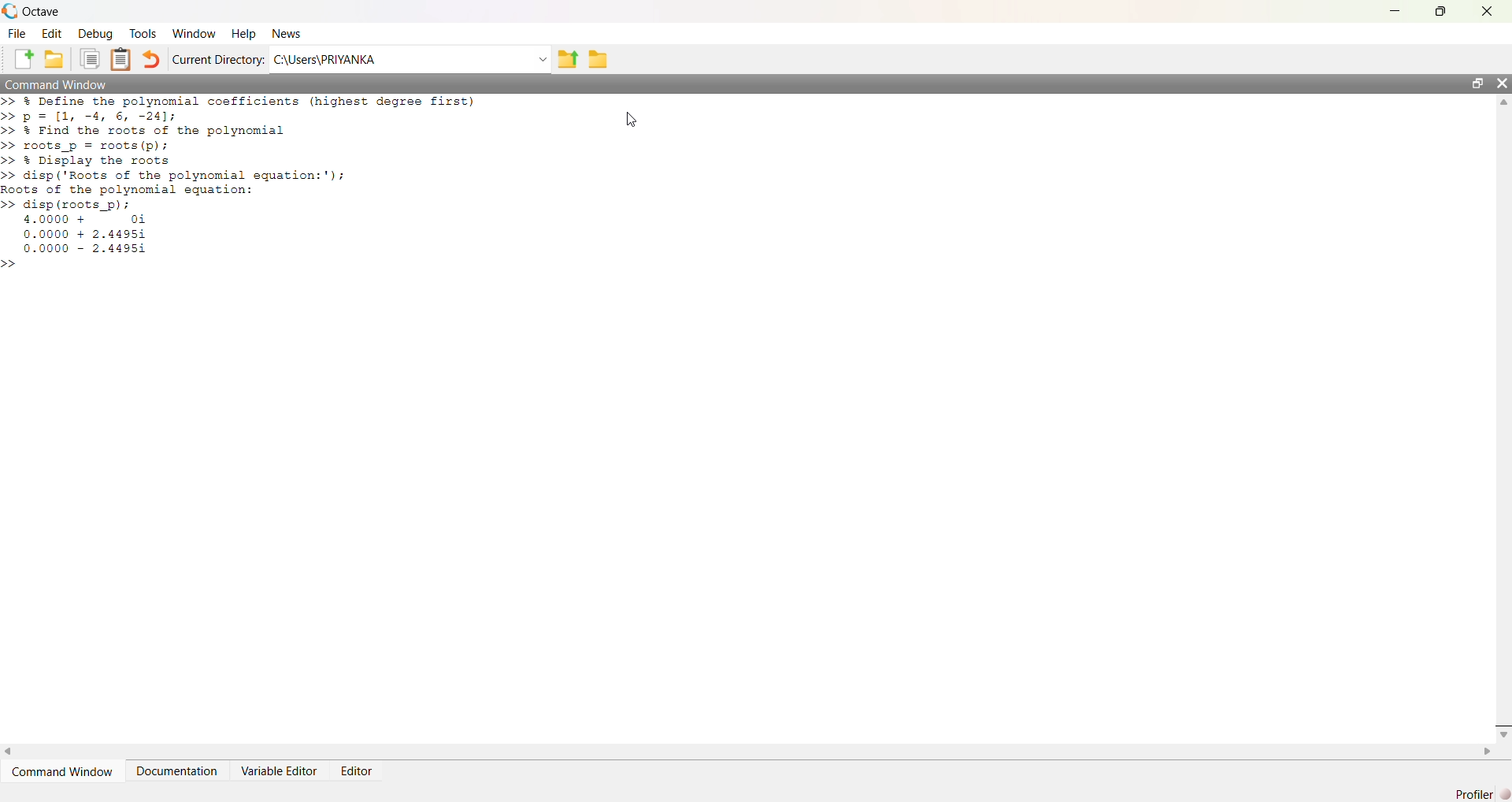 The width and height of the screenshot is (1512, 802). I want to click on News, so click(290, 35).